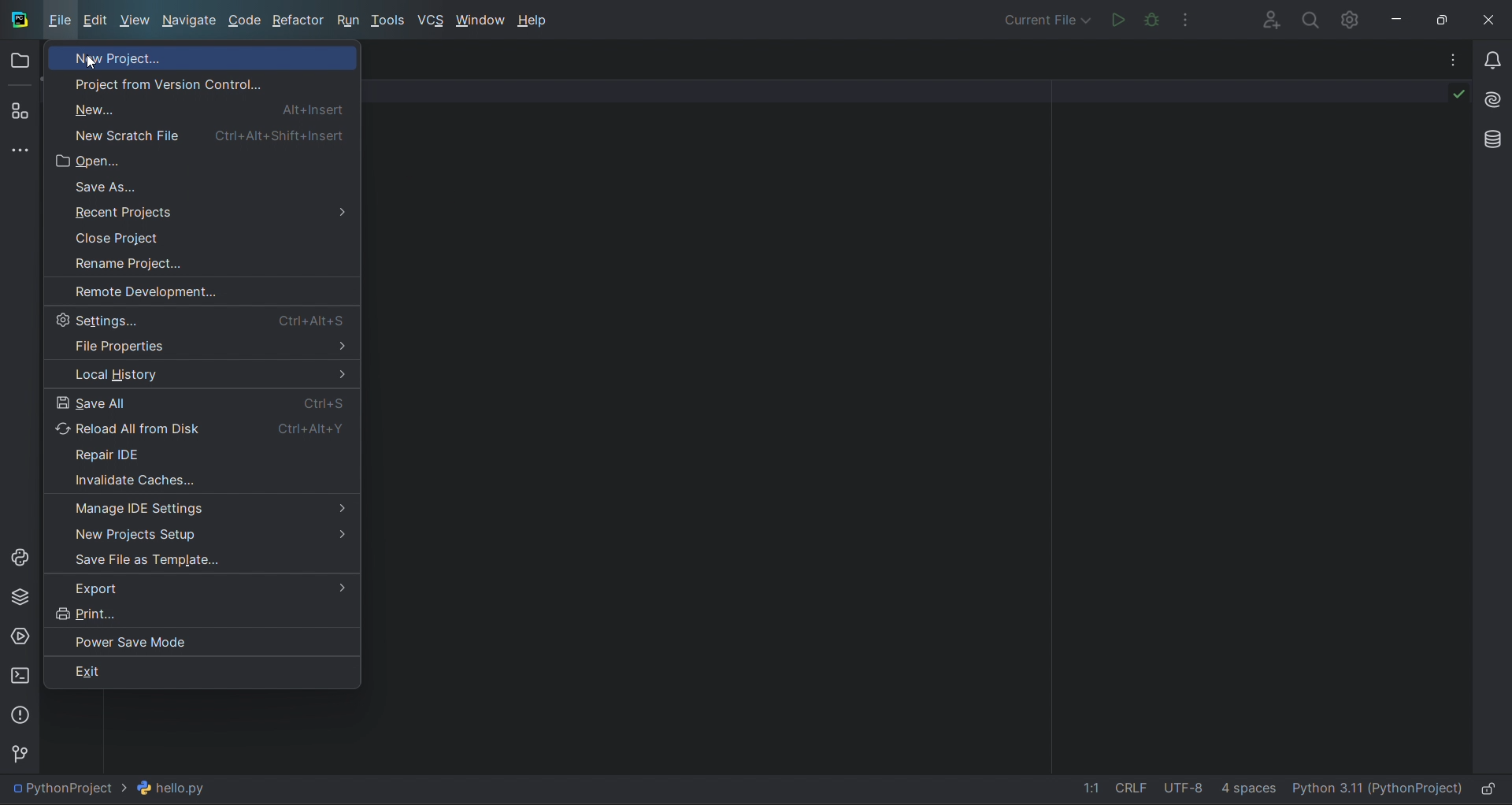 This screenshot has height=805, width=1512. Describe the element at coordinates (1447, 98) in the screenshot. I see `code check` at that location.